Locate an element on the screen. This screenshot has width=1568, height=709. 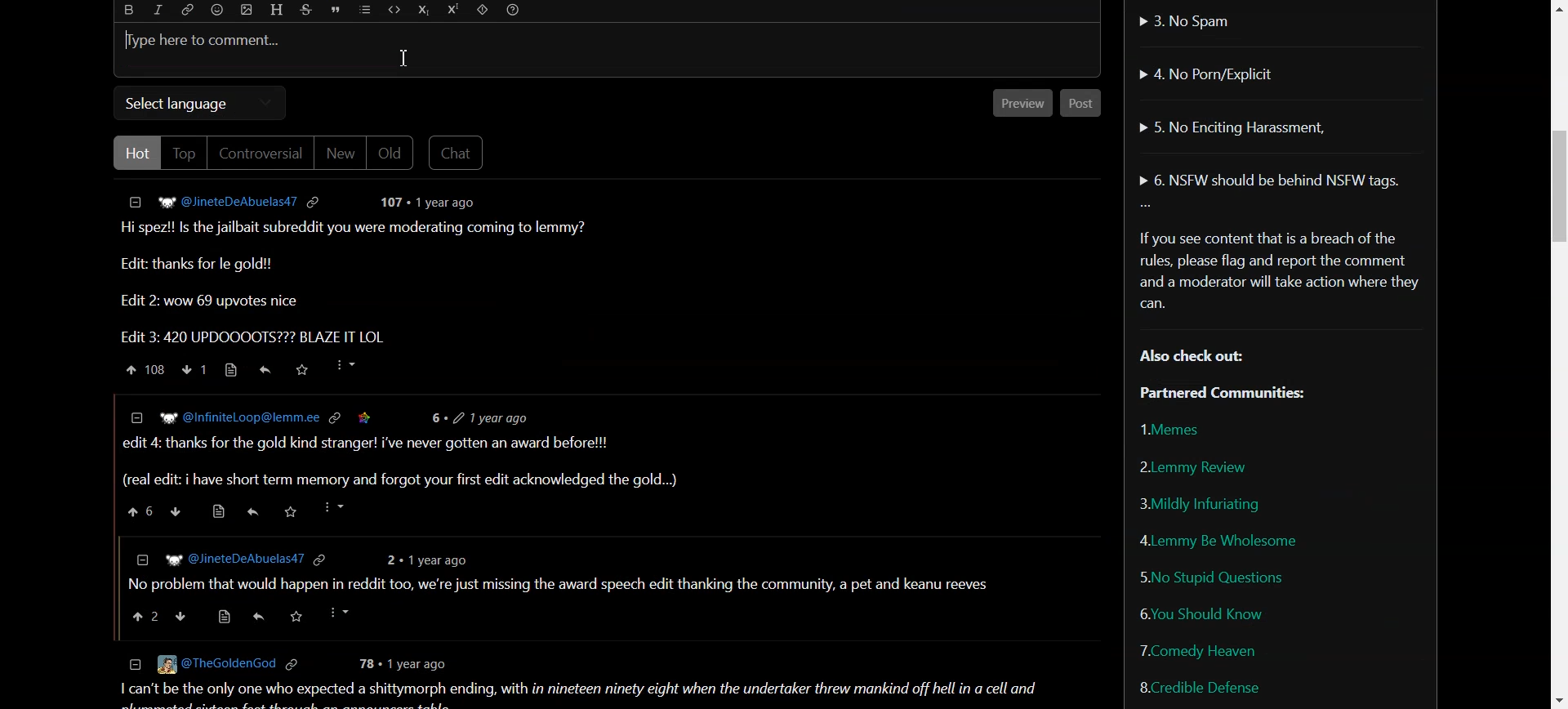
Mildly Infuriating is located at coordinates (1199, 504).